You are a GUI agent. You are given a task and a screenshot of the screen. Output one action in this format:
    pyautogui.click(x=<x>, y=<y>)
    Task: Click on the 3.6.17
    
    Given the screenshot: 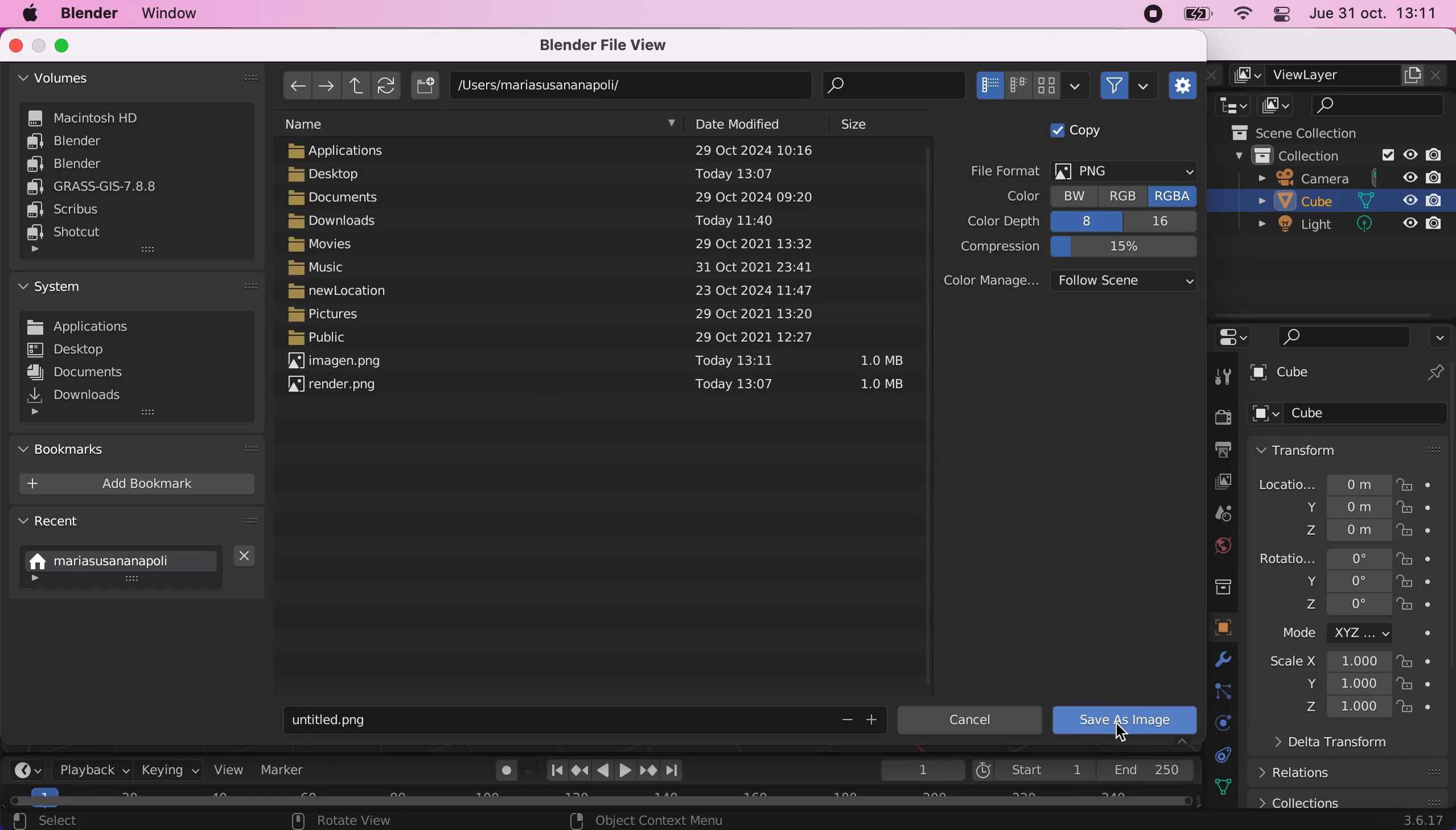 What is the action you would take?
    pyautogui.click(x=1420, y=822)
    